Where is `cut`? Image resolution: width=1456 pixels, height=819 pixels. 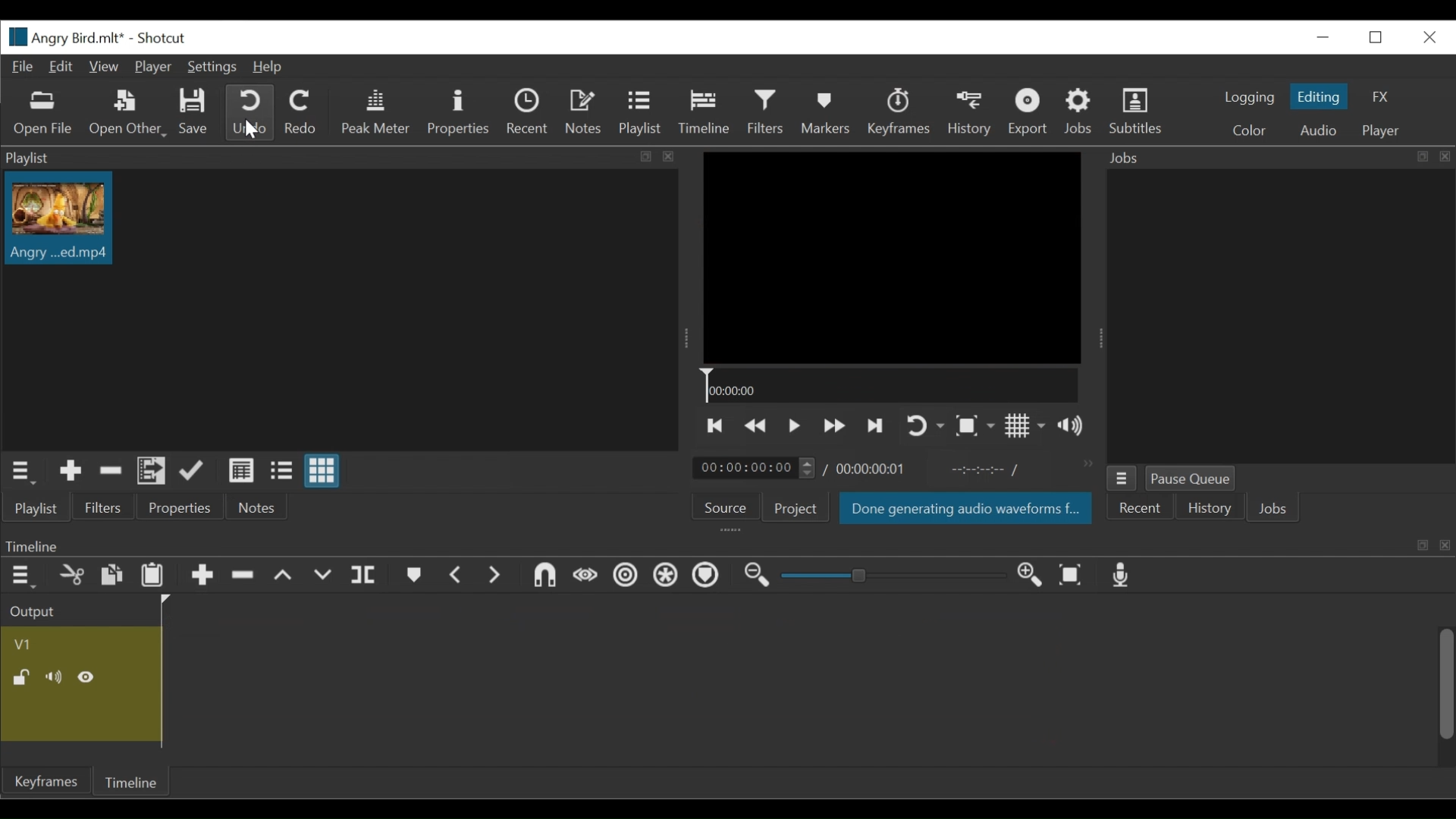 cut is located at coordinates (70, 575).